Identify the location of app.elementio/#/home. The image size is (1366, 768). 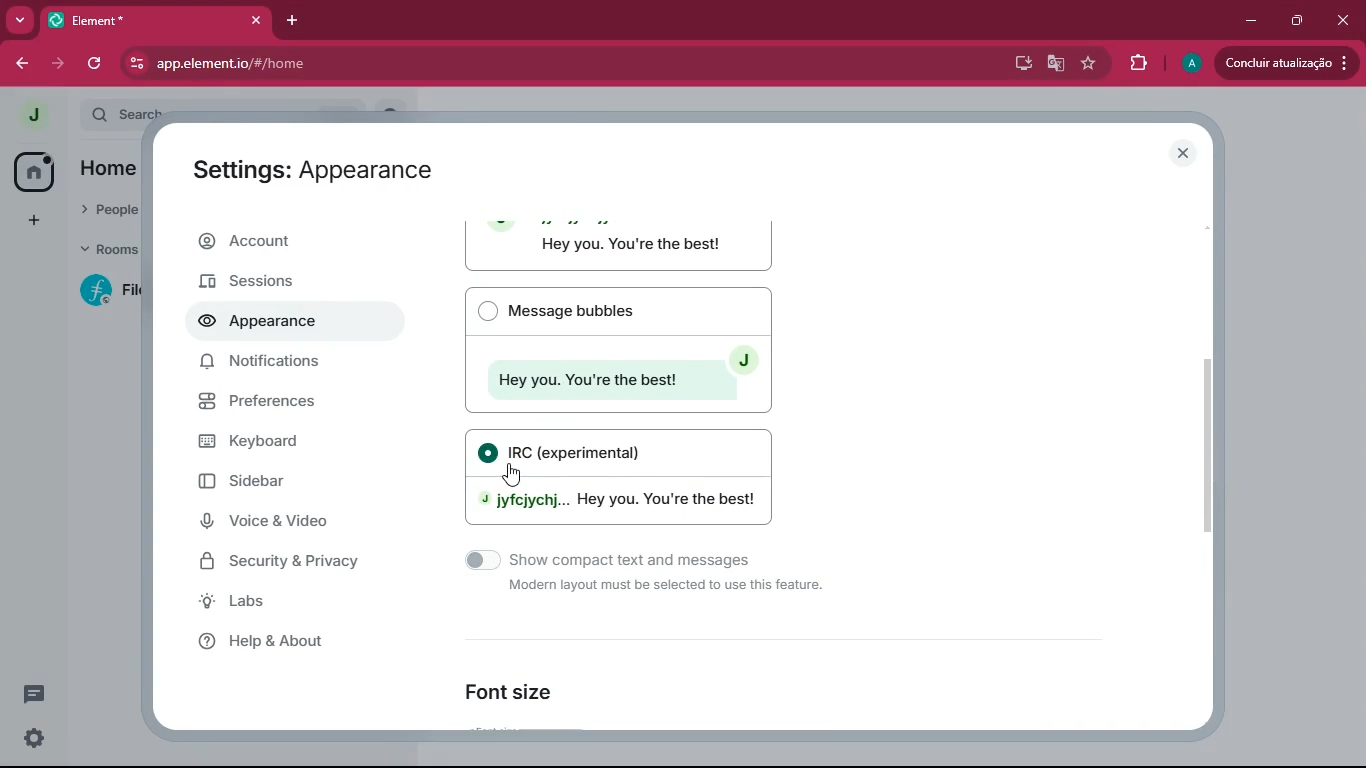
(437, 63).